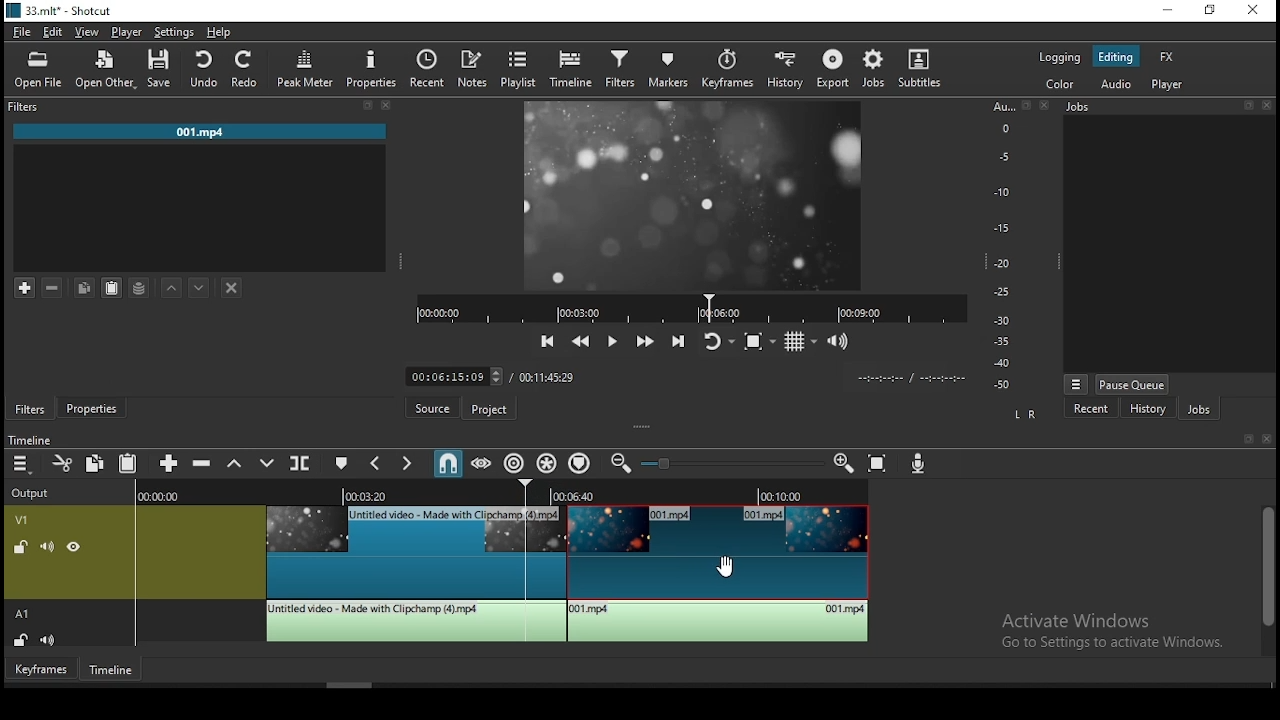  Describe the element at coordinates (1209, 11) in the screenshot. I see `restore` at that location.